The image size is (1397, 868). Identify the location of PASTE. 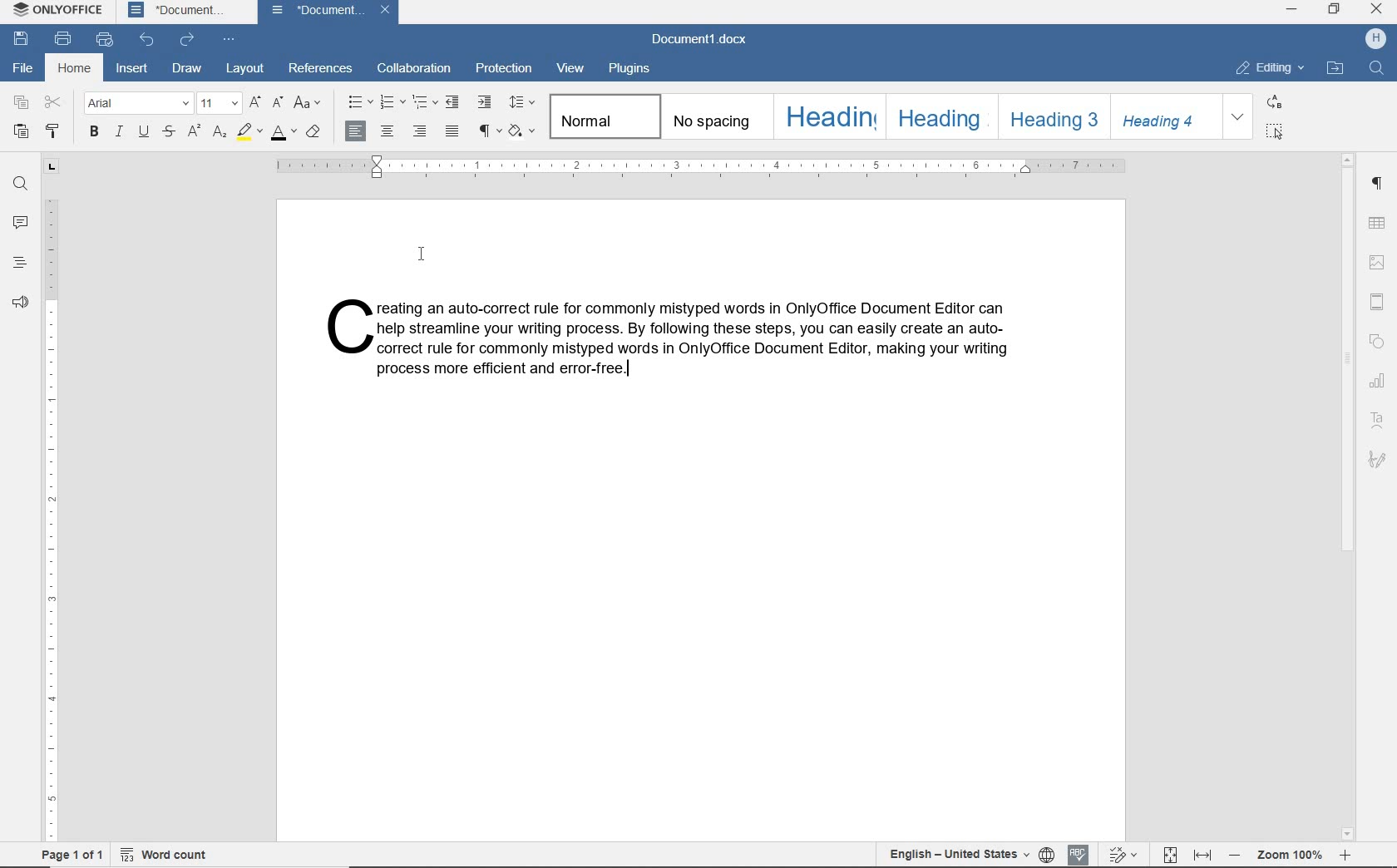
(21, 133).